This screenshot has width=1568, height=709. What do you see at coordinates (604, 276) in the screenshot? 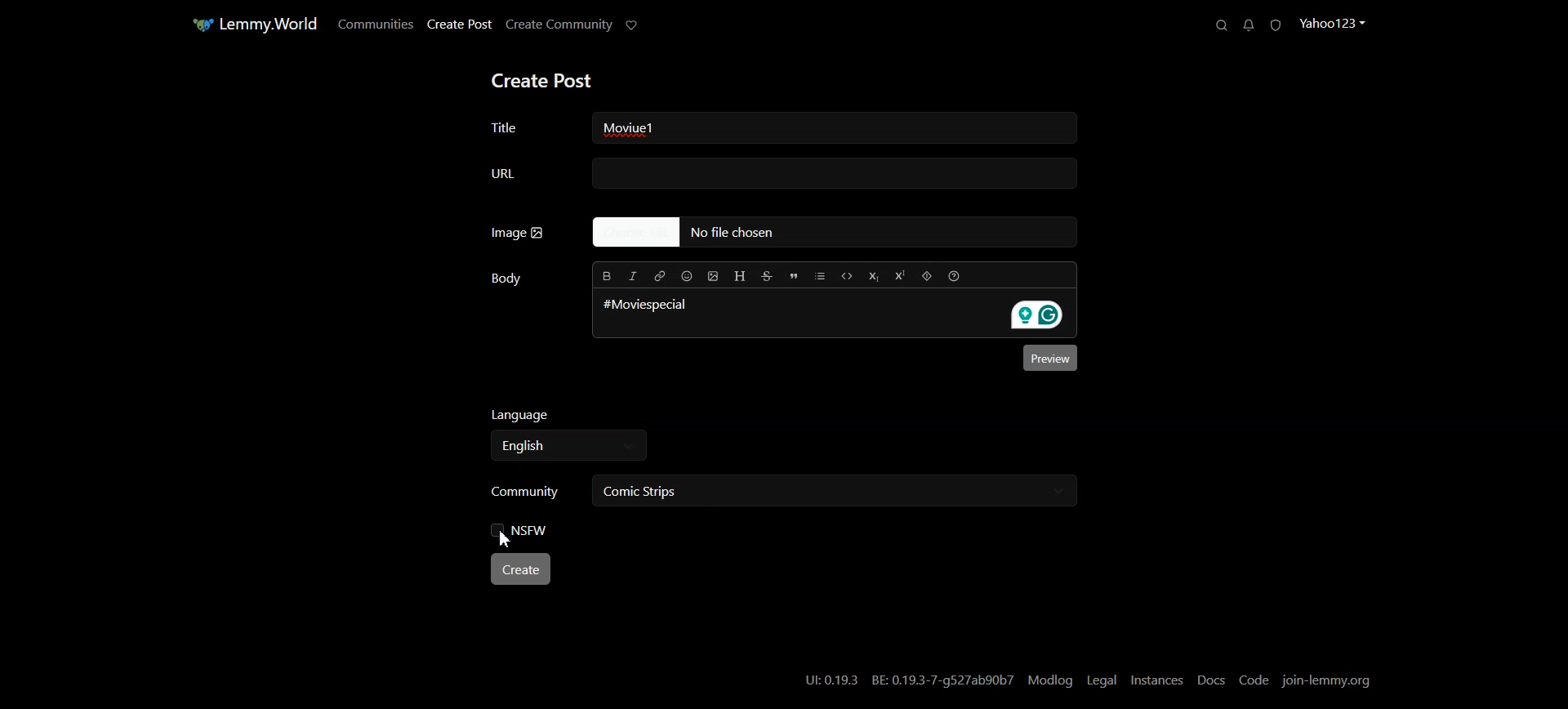
I see `Bold ` at bounding box center [604, 276].